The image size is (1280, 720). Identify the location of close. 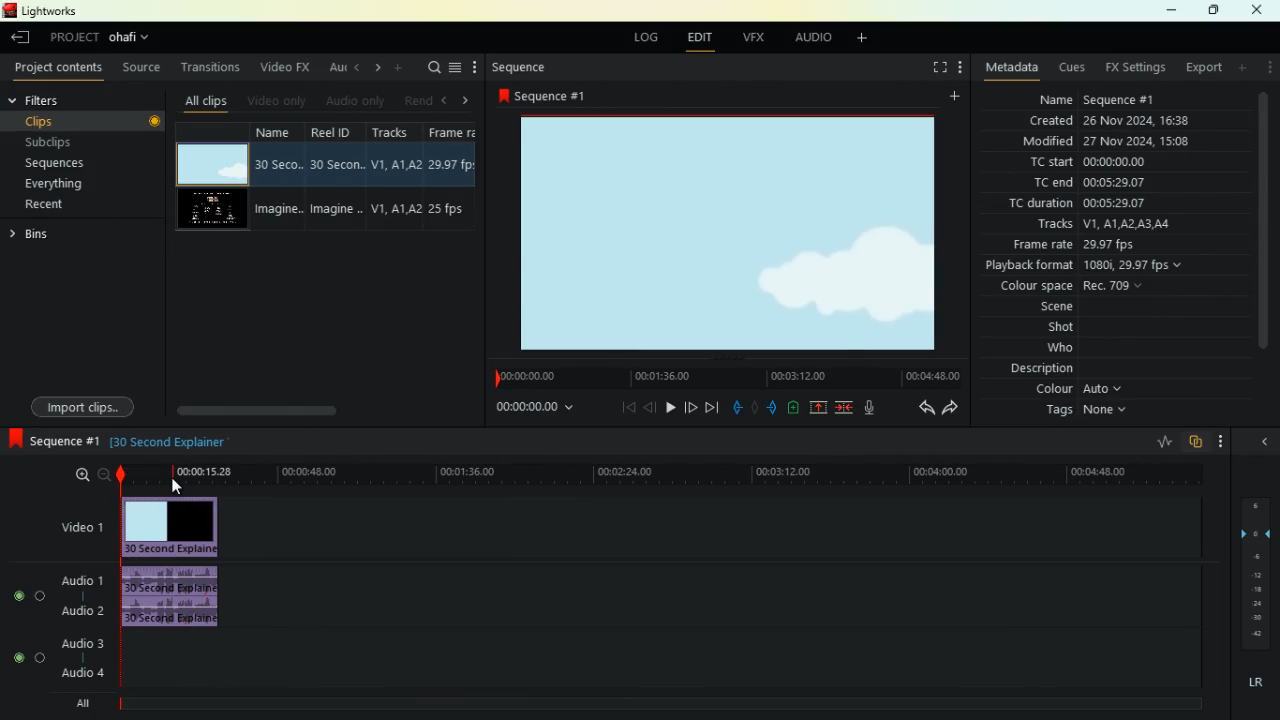
(1263, 441).